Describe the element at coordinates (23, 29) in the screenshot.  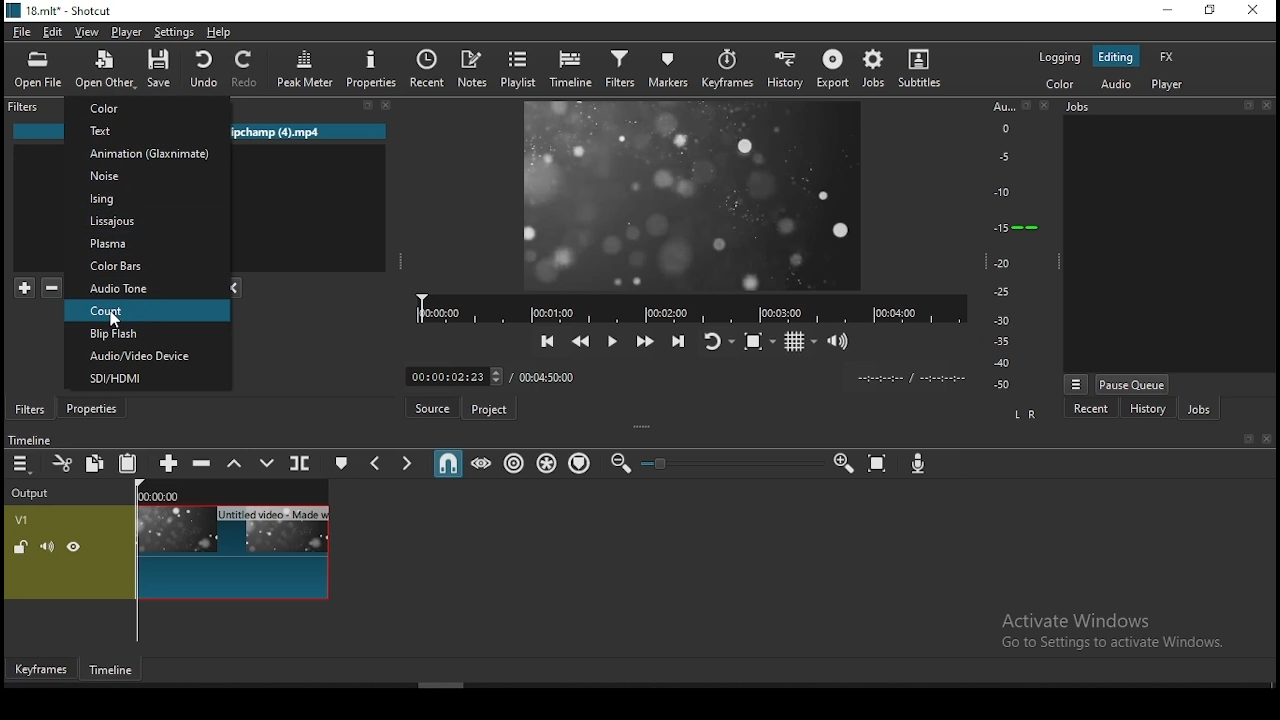
I see `file` at that location.